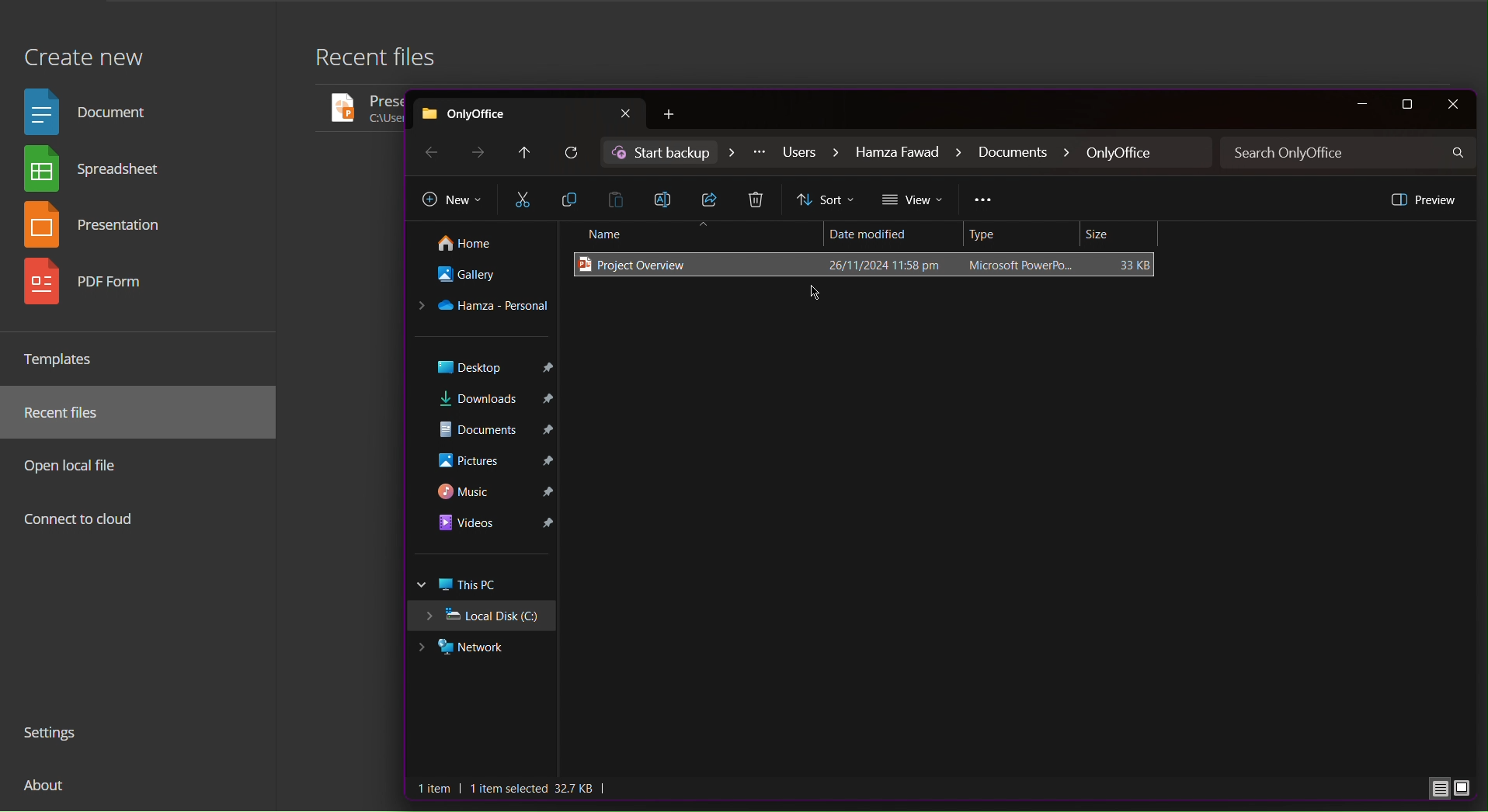 The image size is (1488, 812). Describe the element at coordinates (65, 359) in the screenshot. I see `Templates` at that location.